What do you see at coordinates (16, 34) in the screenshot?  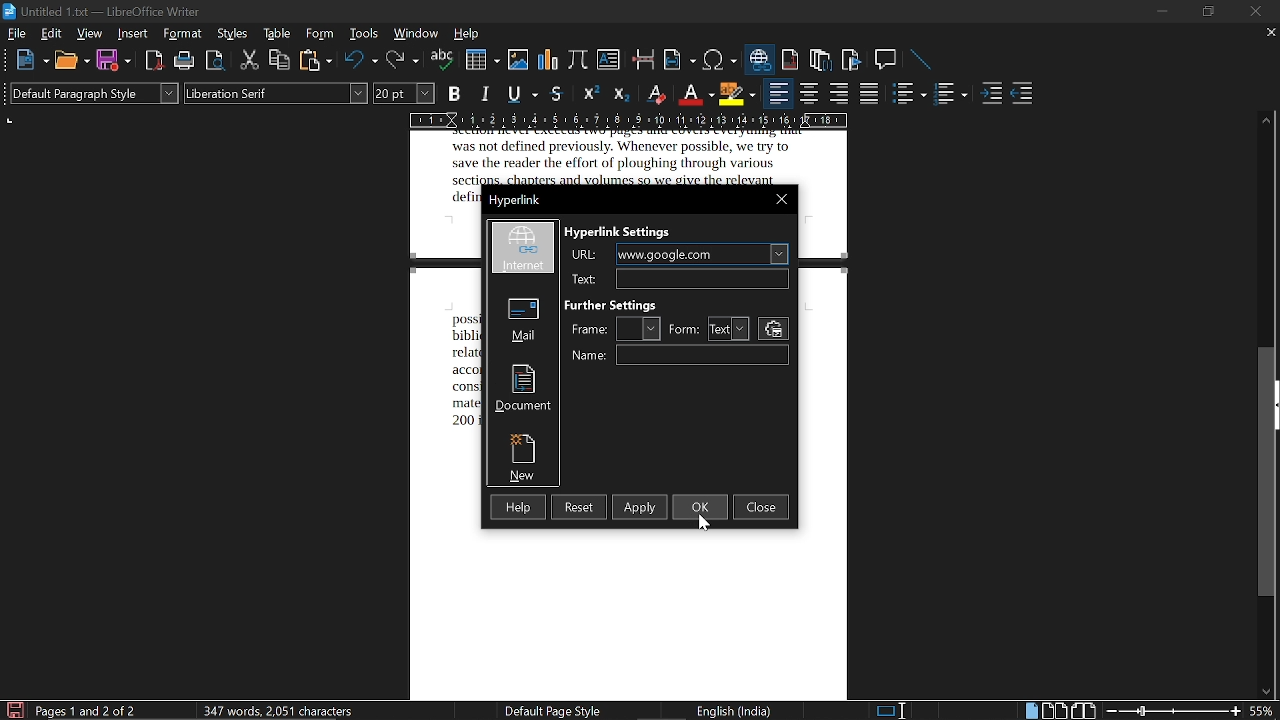 I see `file` at bounding box center [16, 34].